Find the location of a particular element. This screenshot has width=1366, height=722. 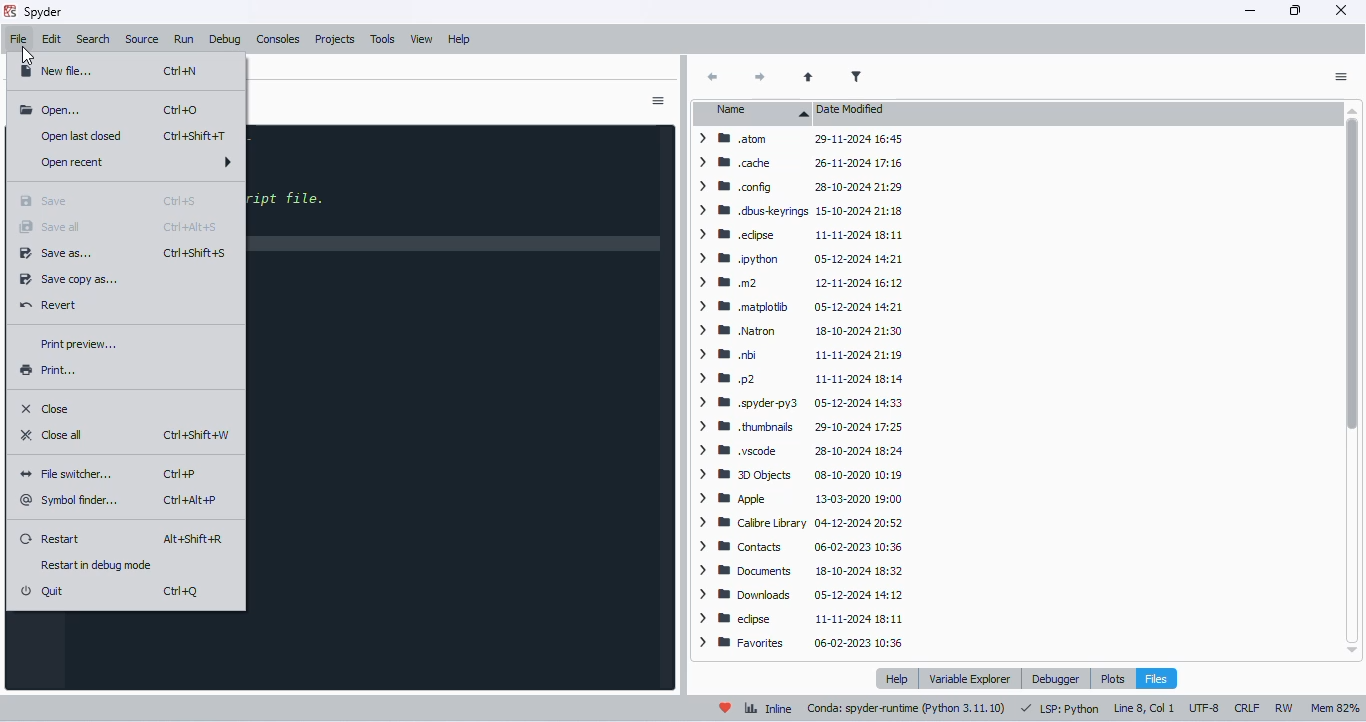

view is located at coordinates (422, 39).